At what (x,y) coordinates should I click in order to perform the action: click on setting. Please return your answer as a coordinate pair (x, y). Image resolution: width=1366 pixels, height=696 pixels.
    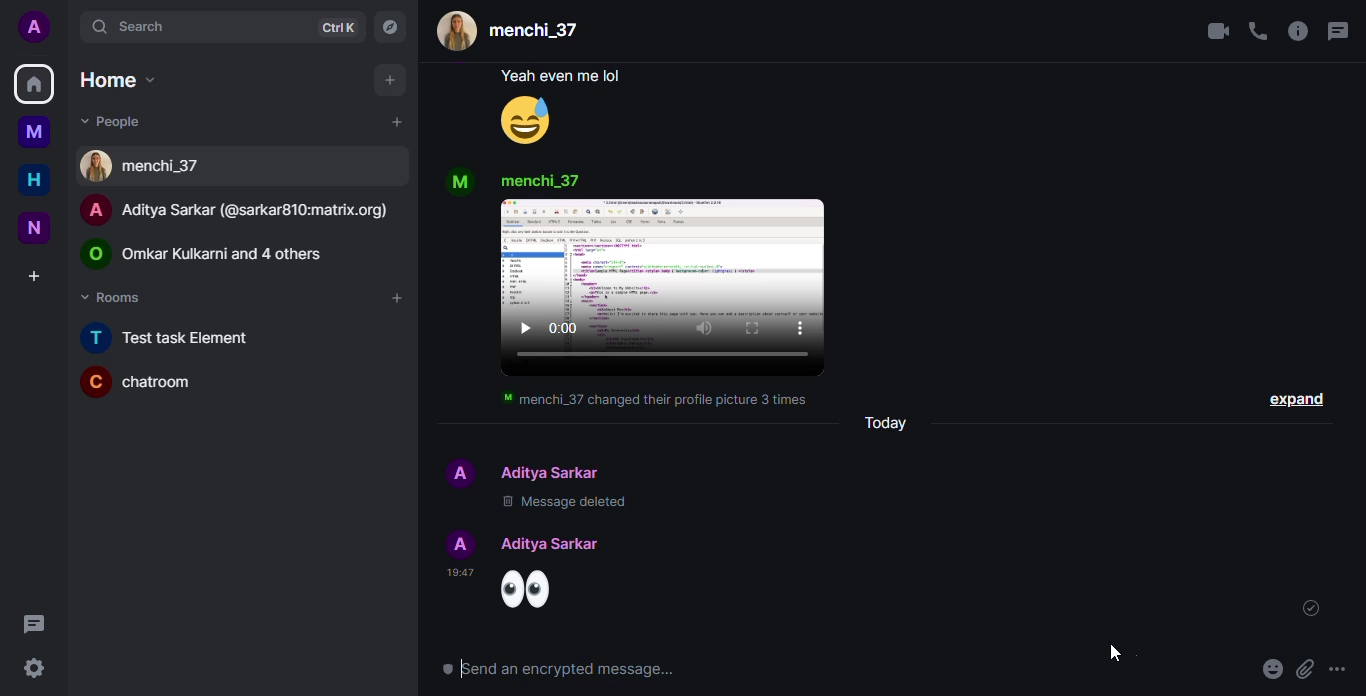
    Looking at the image, I should click on (36, 668).